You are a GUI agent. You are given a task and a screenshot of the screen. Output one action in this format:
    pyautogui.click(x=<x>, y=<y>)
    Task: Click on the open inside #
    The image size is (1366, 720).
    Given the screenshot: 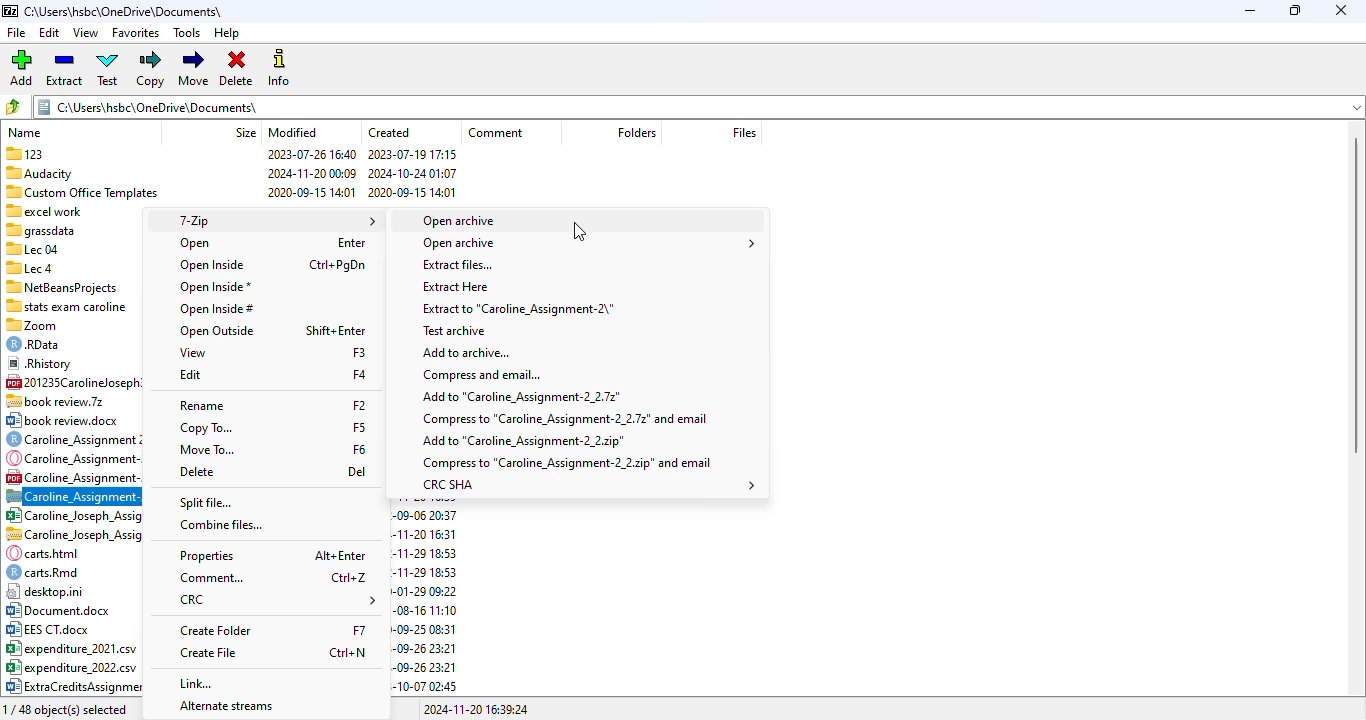 What is the action you would take?
    pyautogui.click(x=216, y=310)
    